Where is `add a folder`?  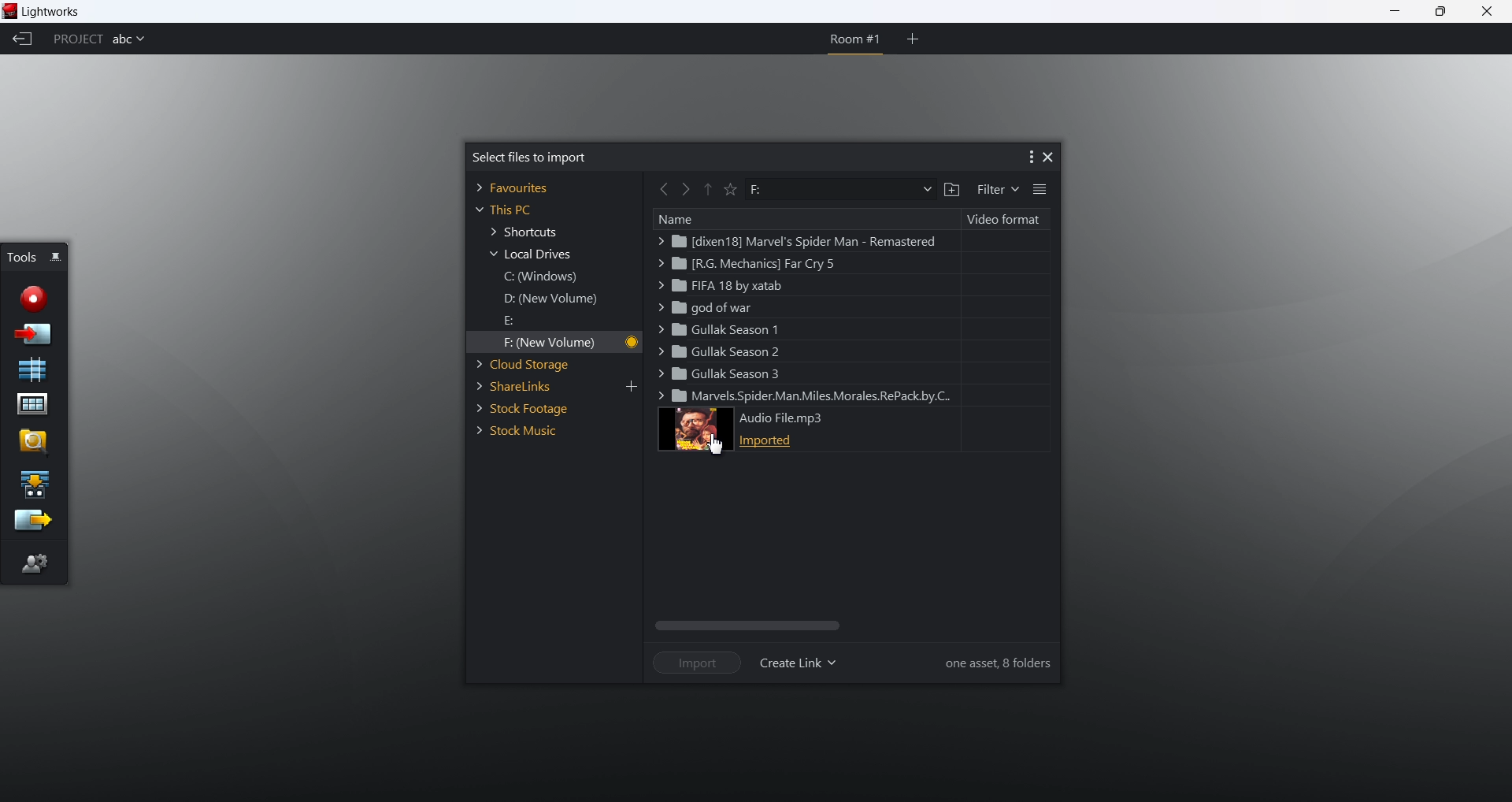
add a folder is located at coordinates (955, 190).